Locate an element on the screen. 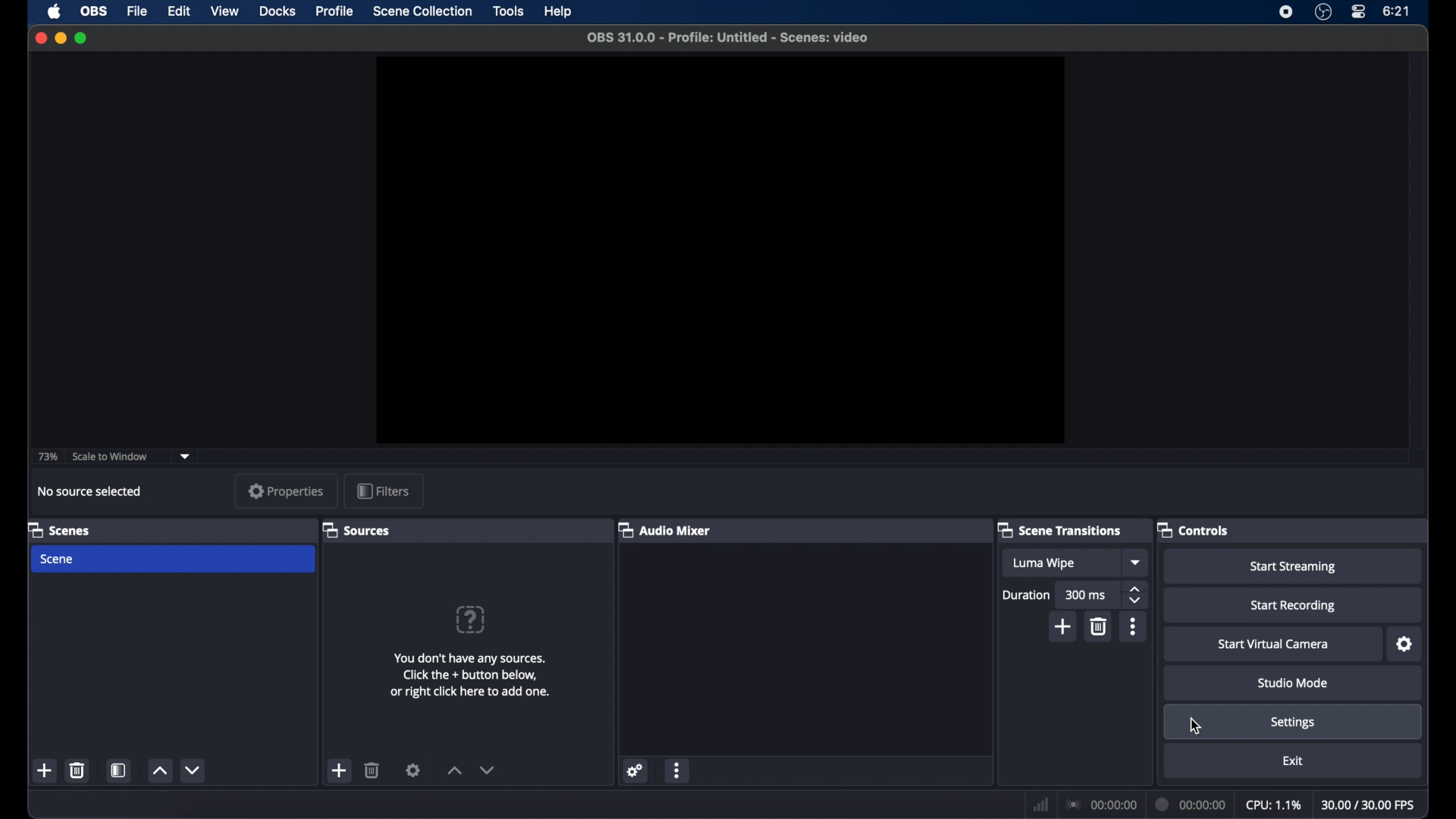 This screenshot has height=819, width=1456. sources is located at coordinates (358, 531).